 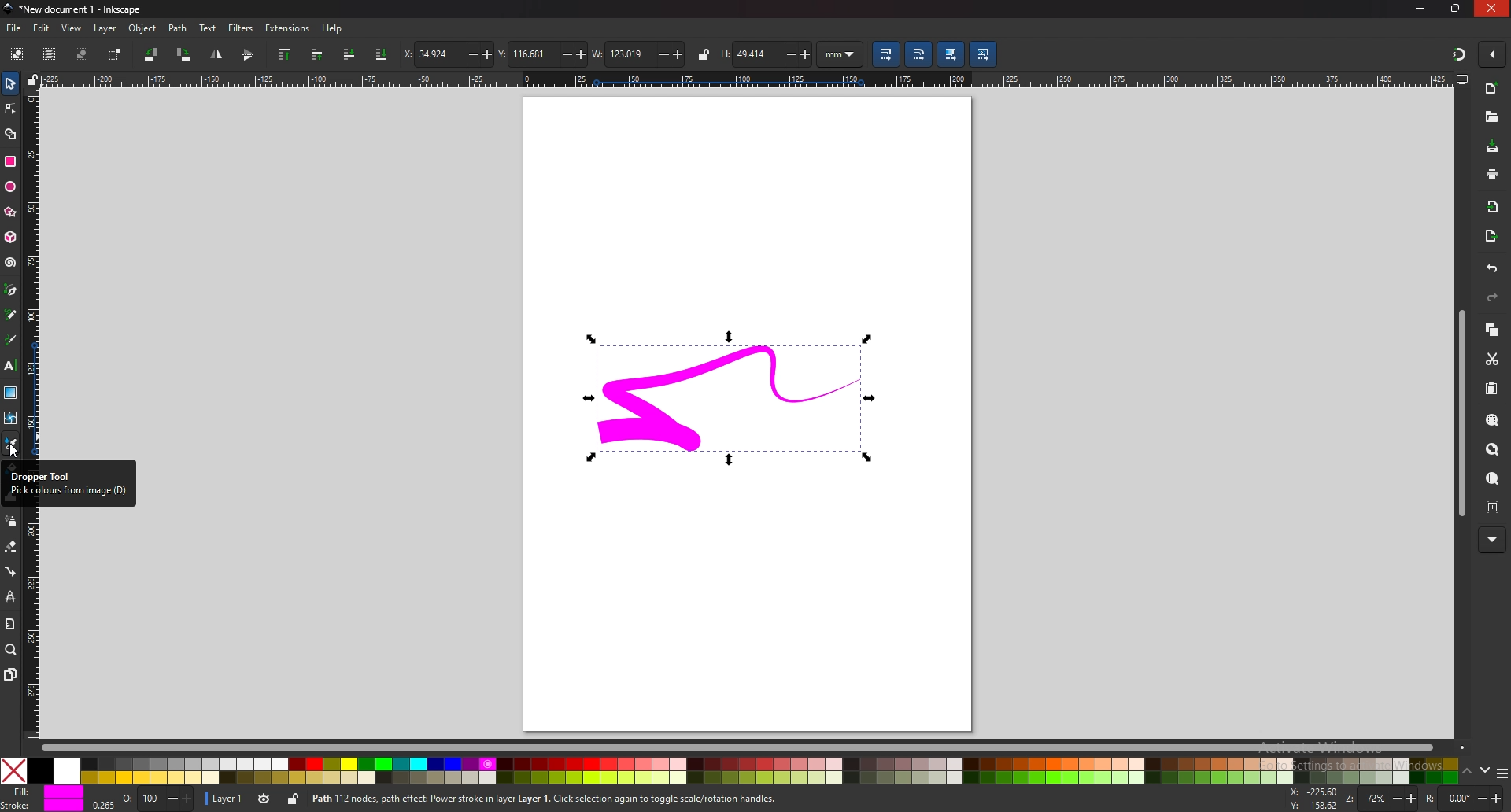 What do you see at coordinates (729, 770) in the screenshot?
I see `colors` at bounding box center [729, 770].